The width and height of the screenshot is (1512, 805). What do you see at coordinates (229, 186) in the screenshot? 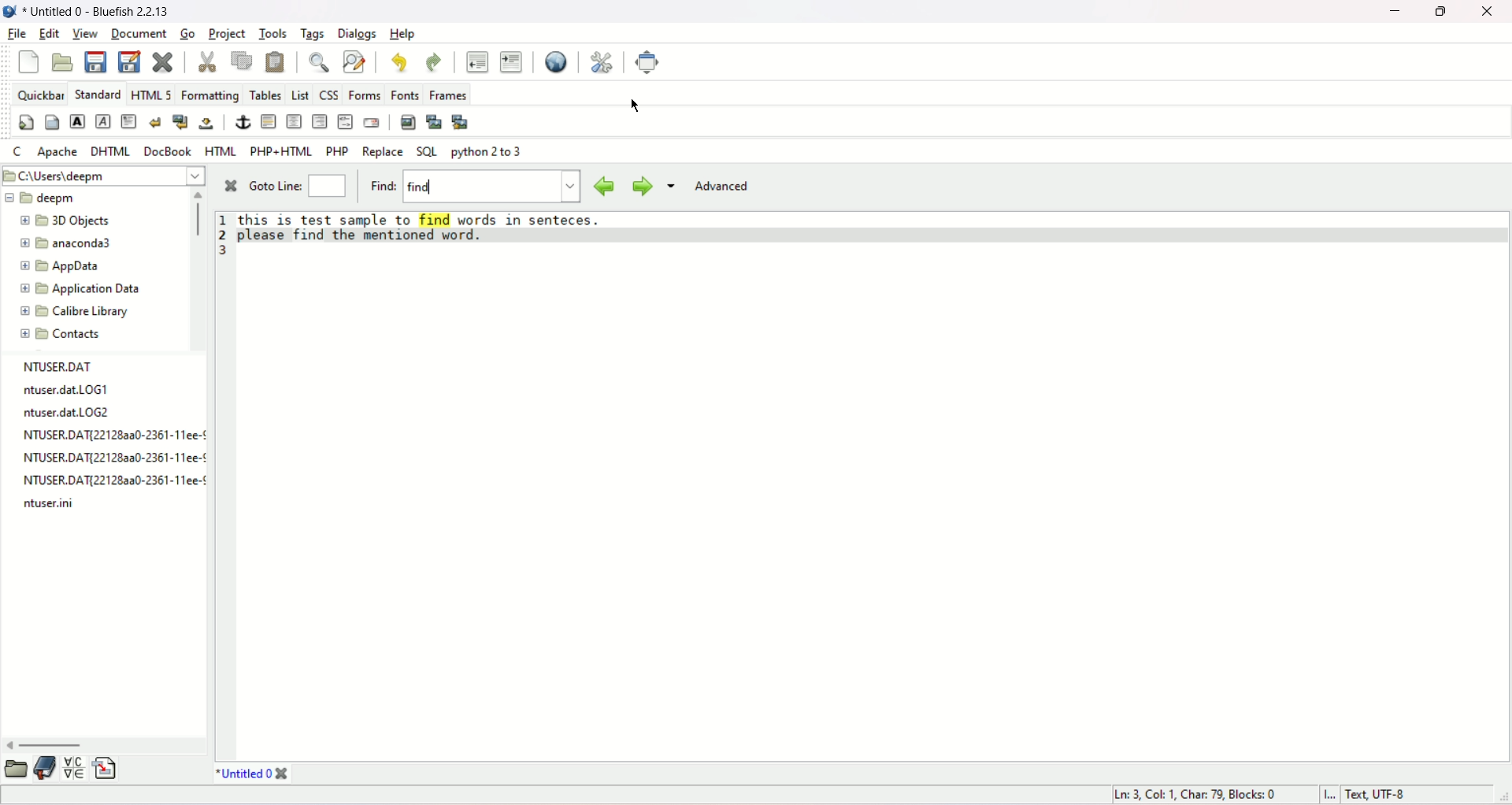
I see `close` at bounding box center [229, 186].